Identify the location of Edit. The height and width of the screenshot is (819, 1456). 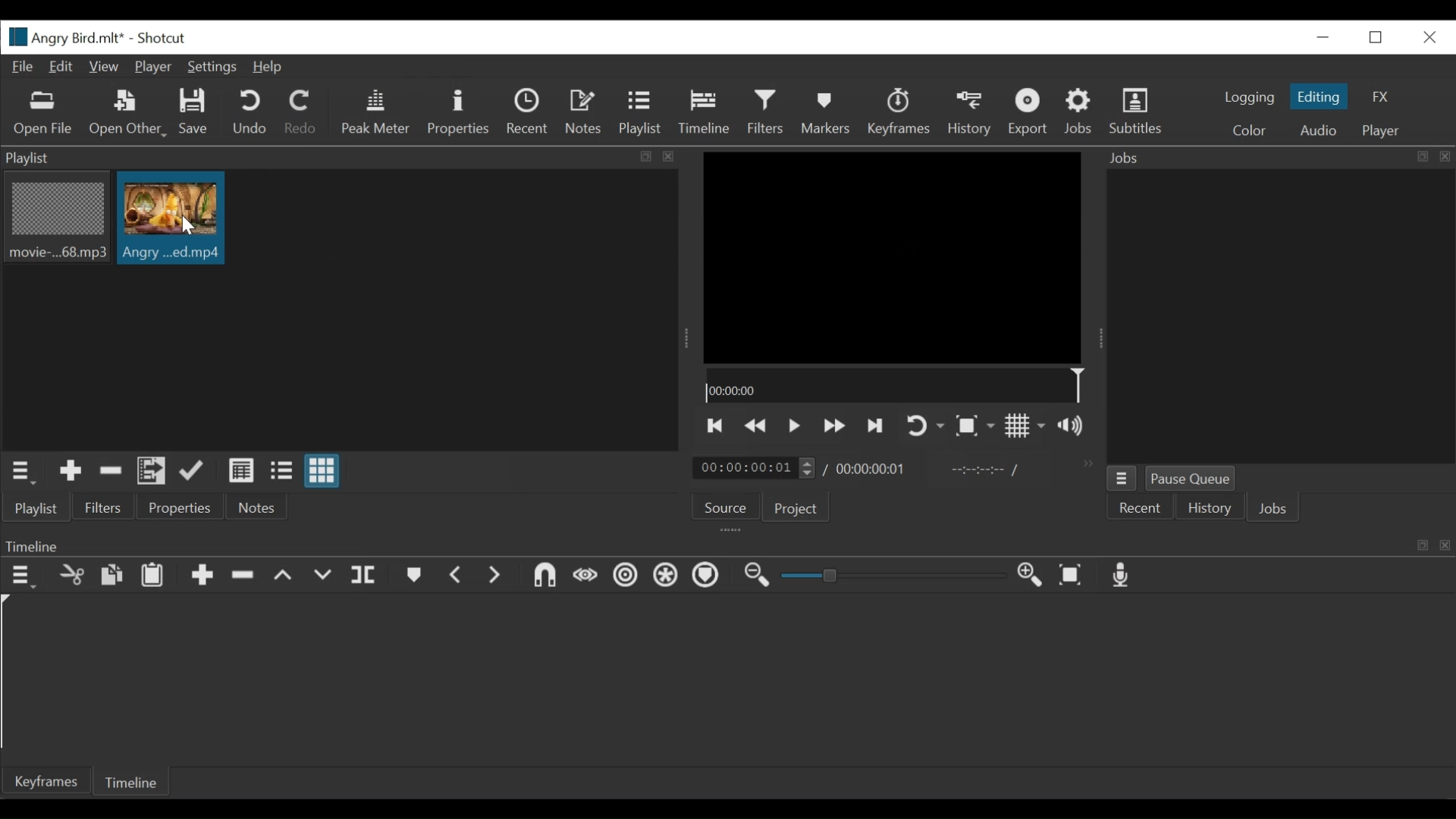
(63, 67).